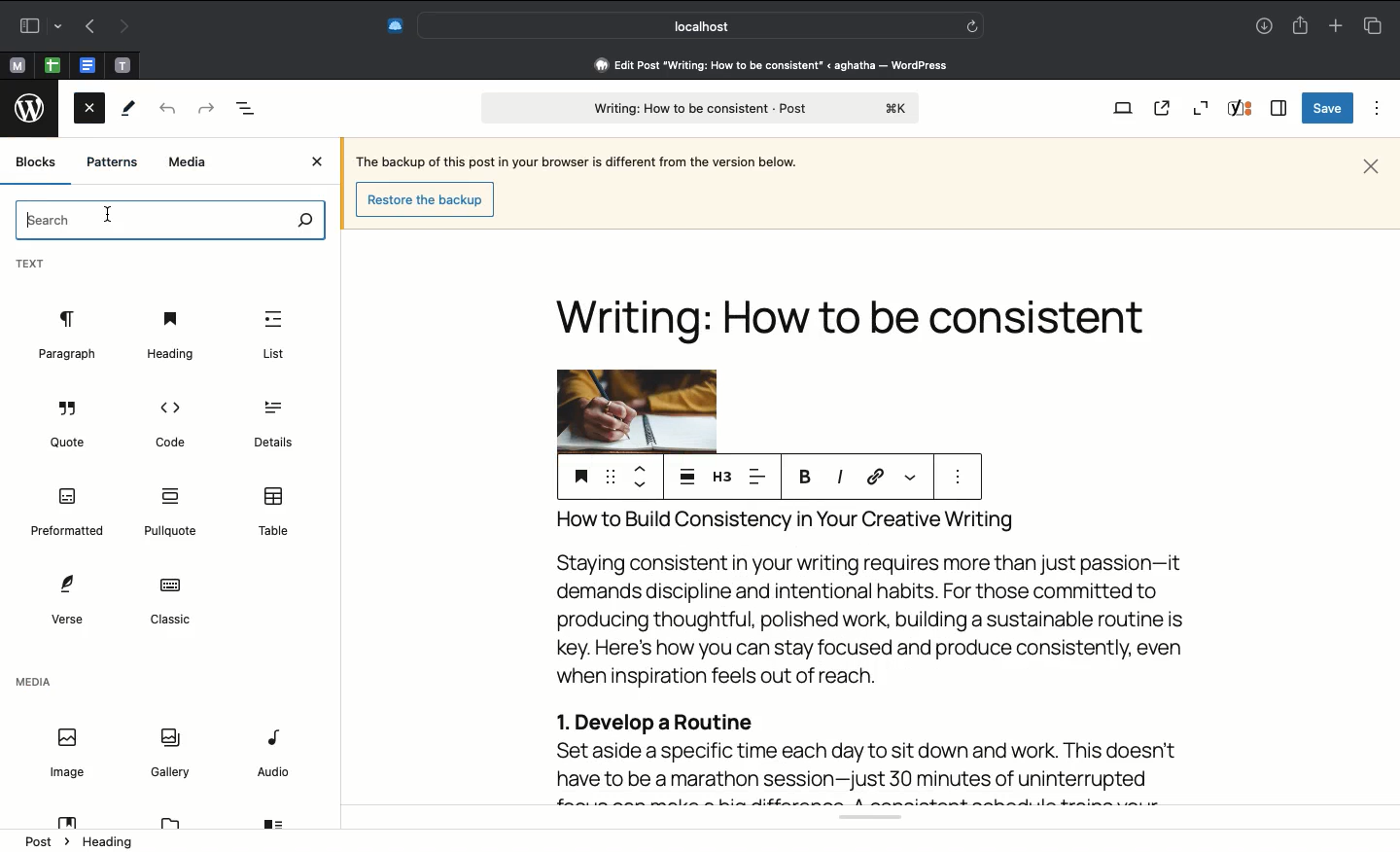 The width and height of the screenshot is (1400, 852). What do you see at coordinates (1374, 25) in the screenshot?
I see `Tabs` at bounding box center [1374, 25].